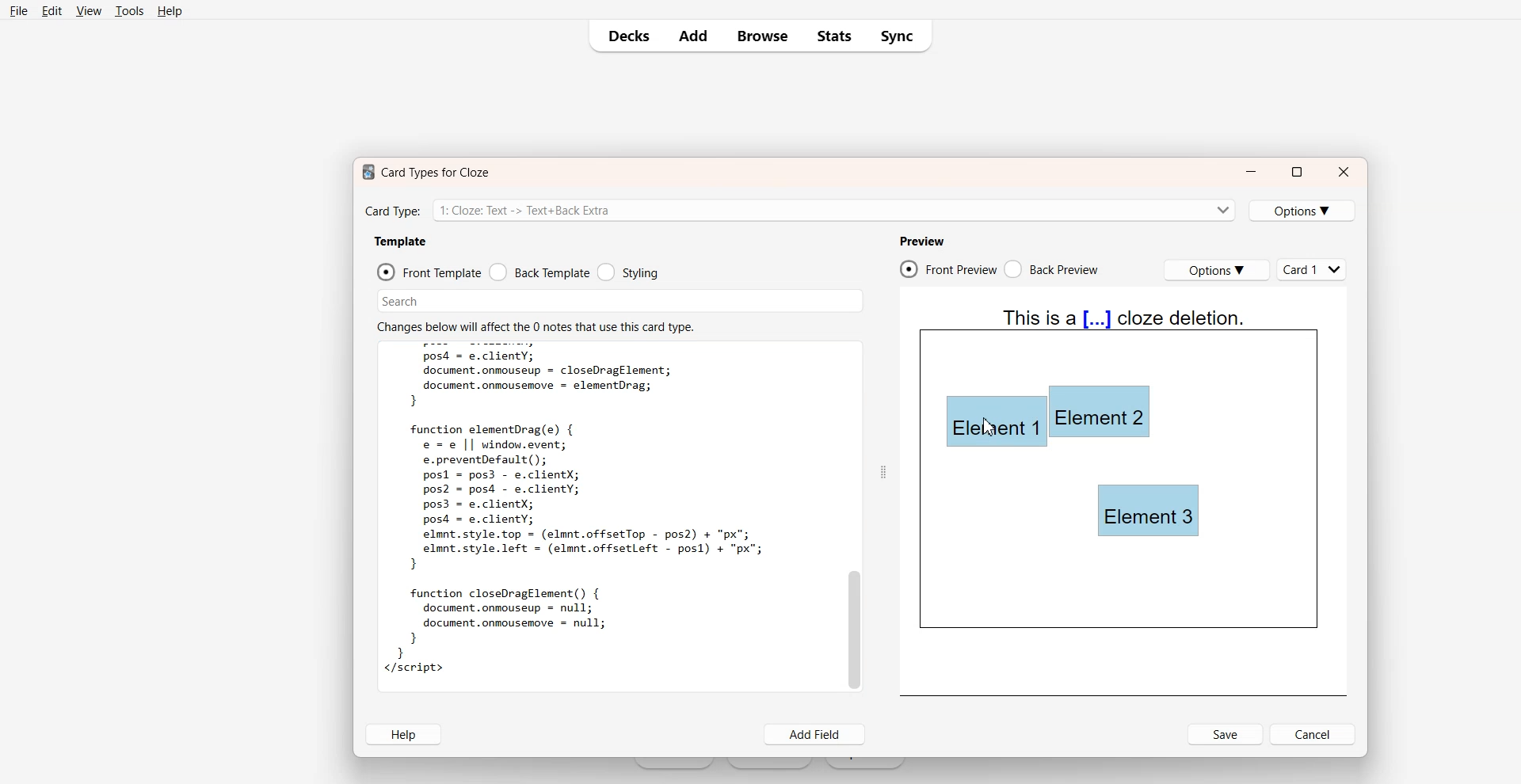 The image size is (1521, 784). What do you see at coordinates (948, 268) in the screenshot?
I see `Front Preview` at bounding box center [948, 268].